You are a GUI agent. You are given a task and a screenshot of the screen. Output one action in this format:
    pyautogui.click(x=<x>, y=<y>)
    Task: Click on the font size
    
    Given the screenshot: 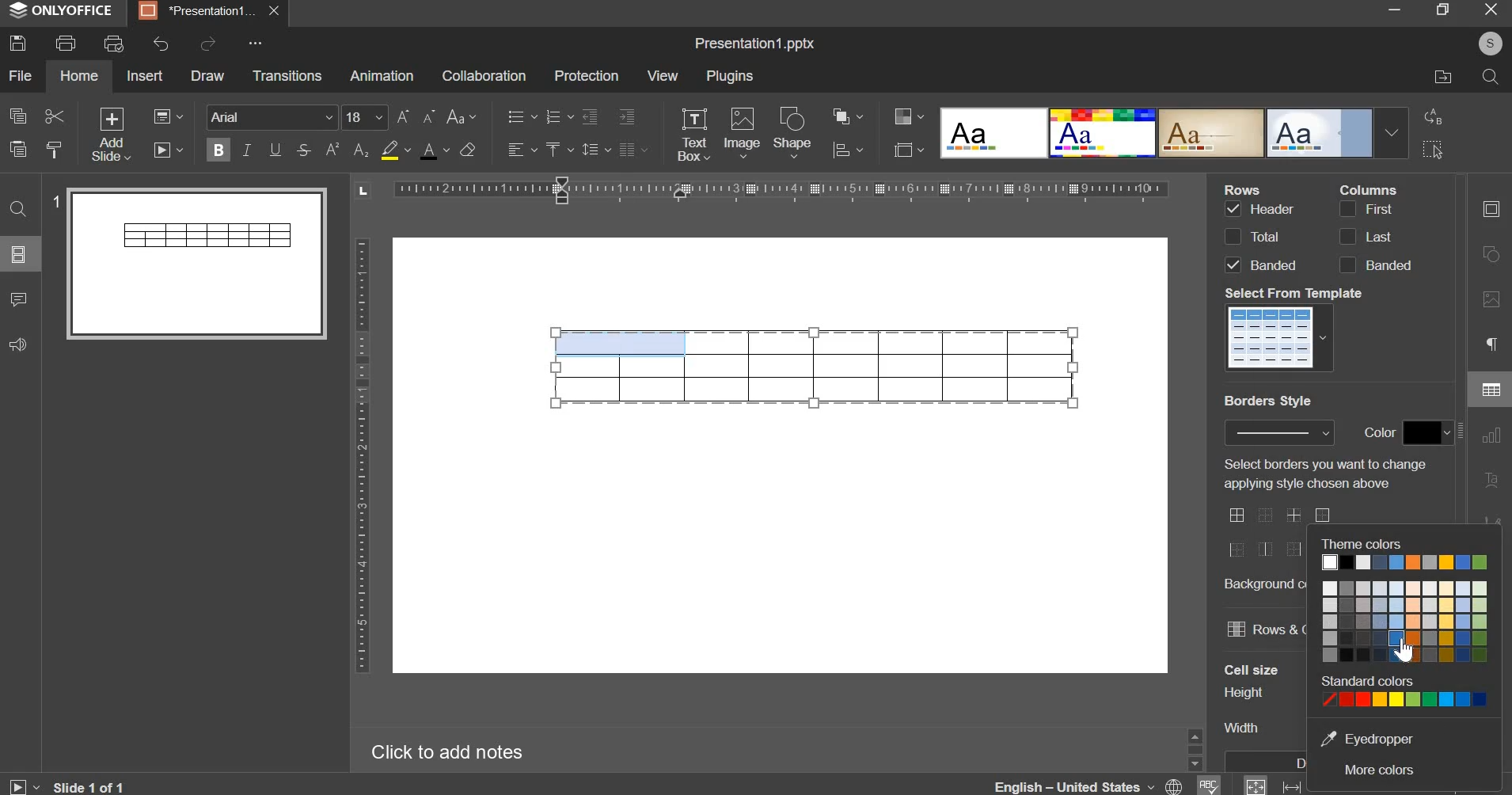 What is the action you would take?
    pyautogui.click(x=389, y=117)
    